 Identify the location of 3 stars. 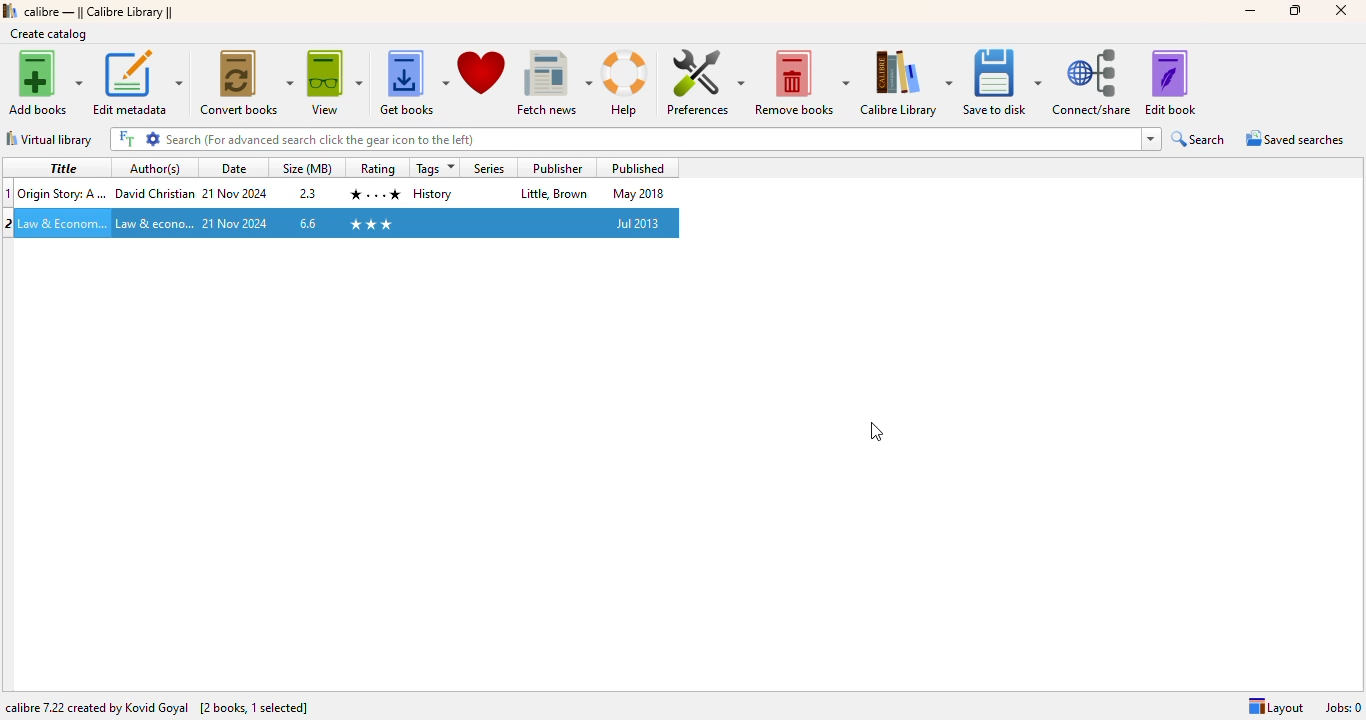
(371, 223).